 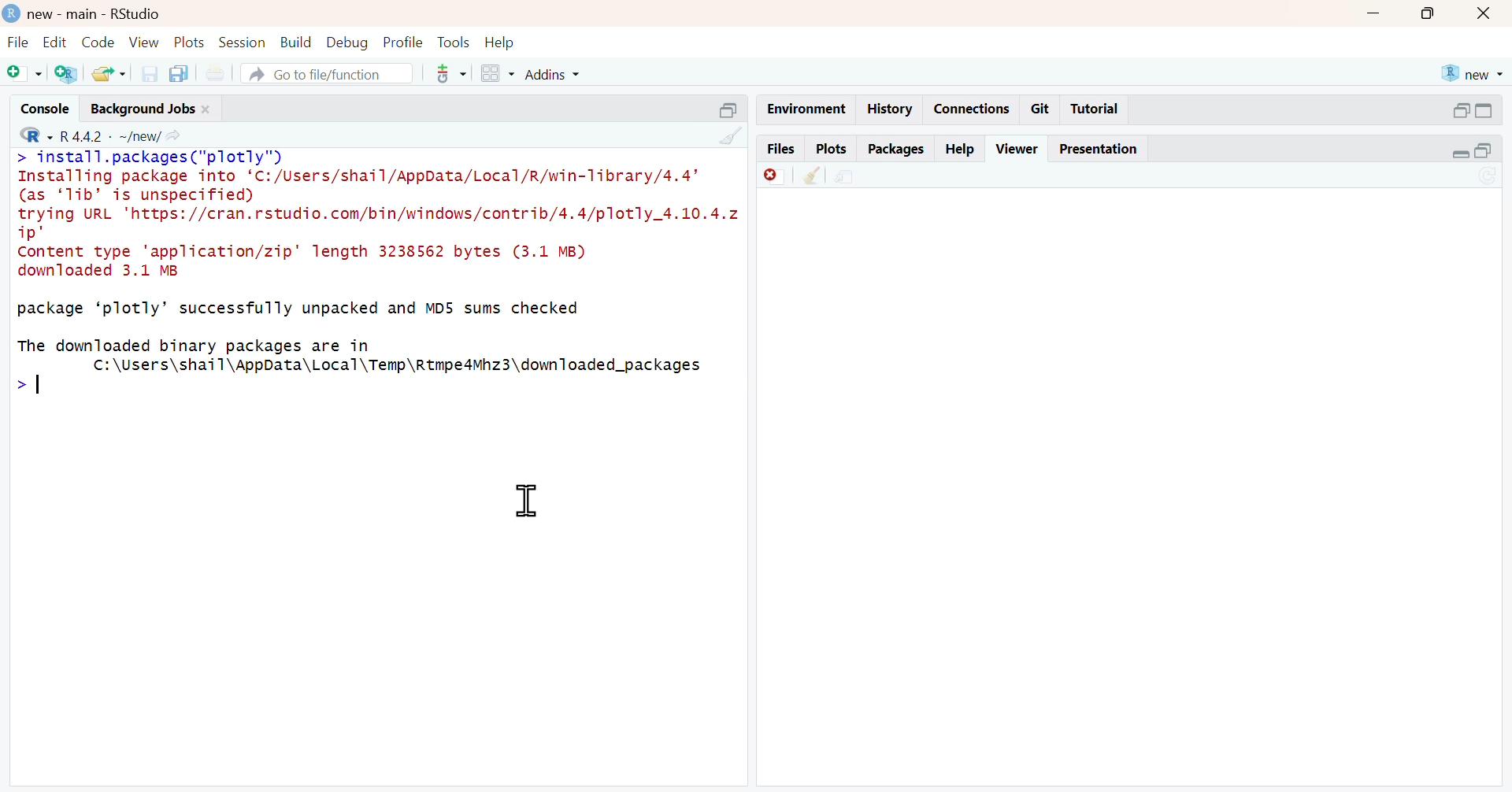 What do you see at coordinates (191, 43) in the screenshot?
I see `plots` at bounding box center [191, 43].